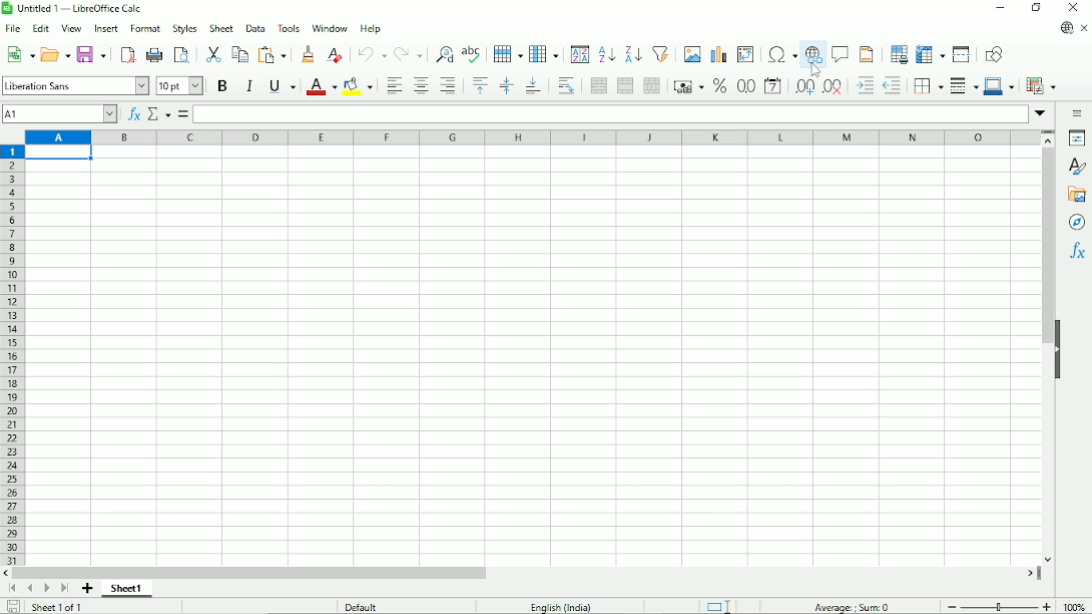  Describe the element at coordinates (183, 54) in the screenshot. I see `Toggle print preview` at that location.